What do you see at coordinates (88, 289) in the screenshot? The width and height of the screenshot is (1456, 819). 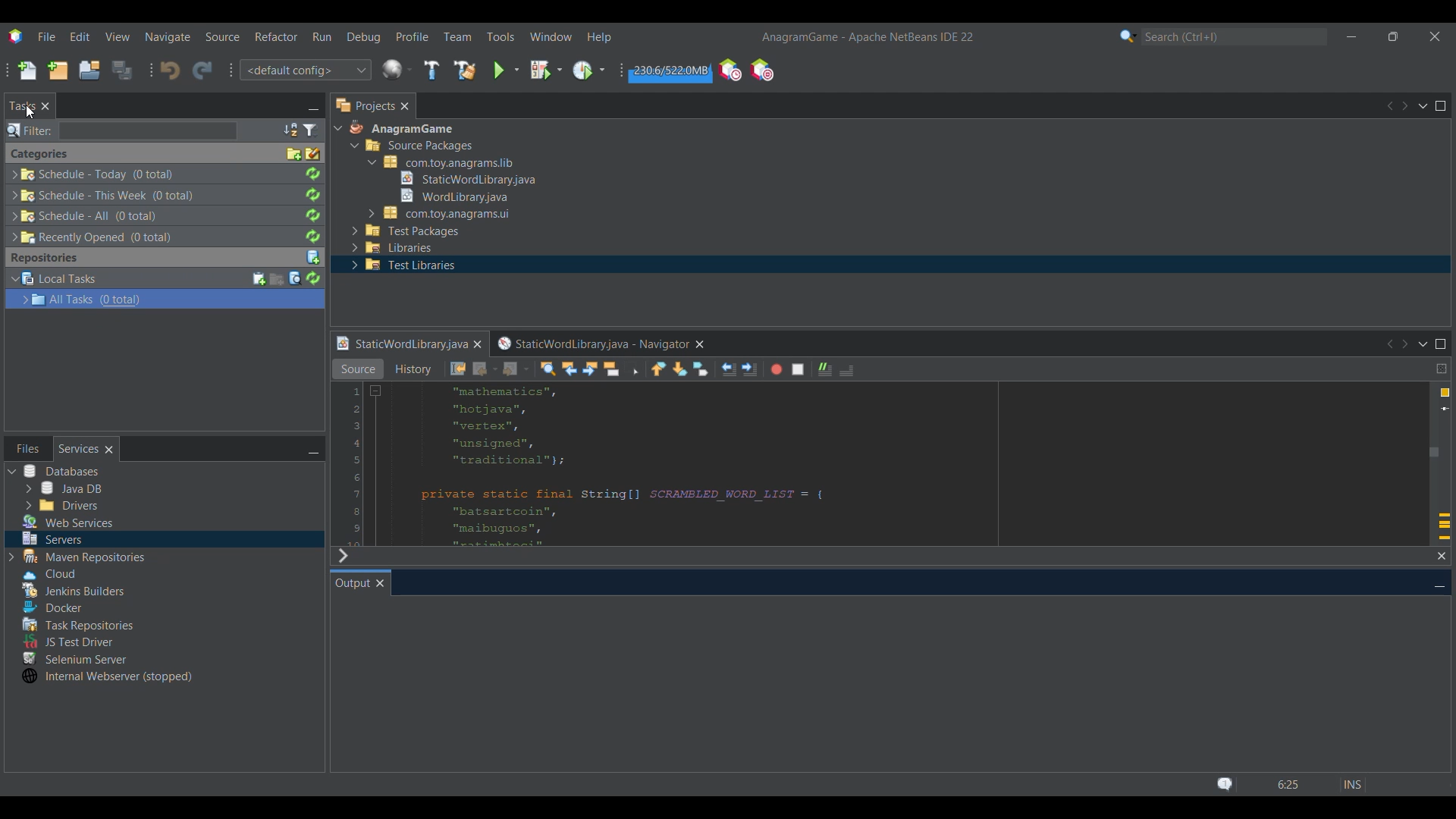 I see `Repository task options` at bounding box center [88, 289].